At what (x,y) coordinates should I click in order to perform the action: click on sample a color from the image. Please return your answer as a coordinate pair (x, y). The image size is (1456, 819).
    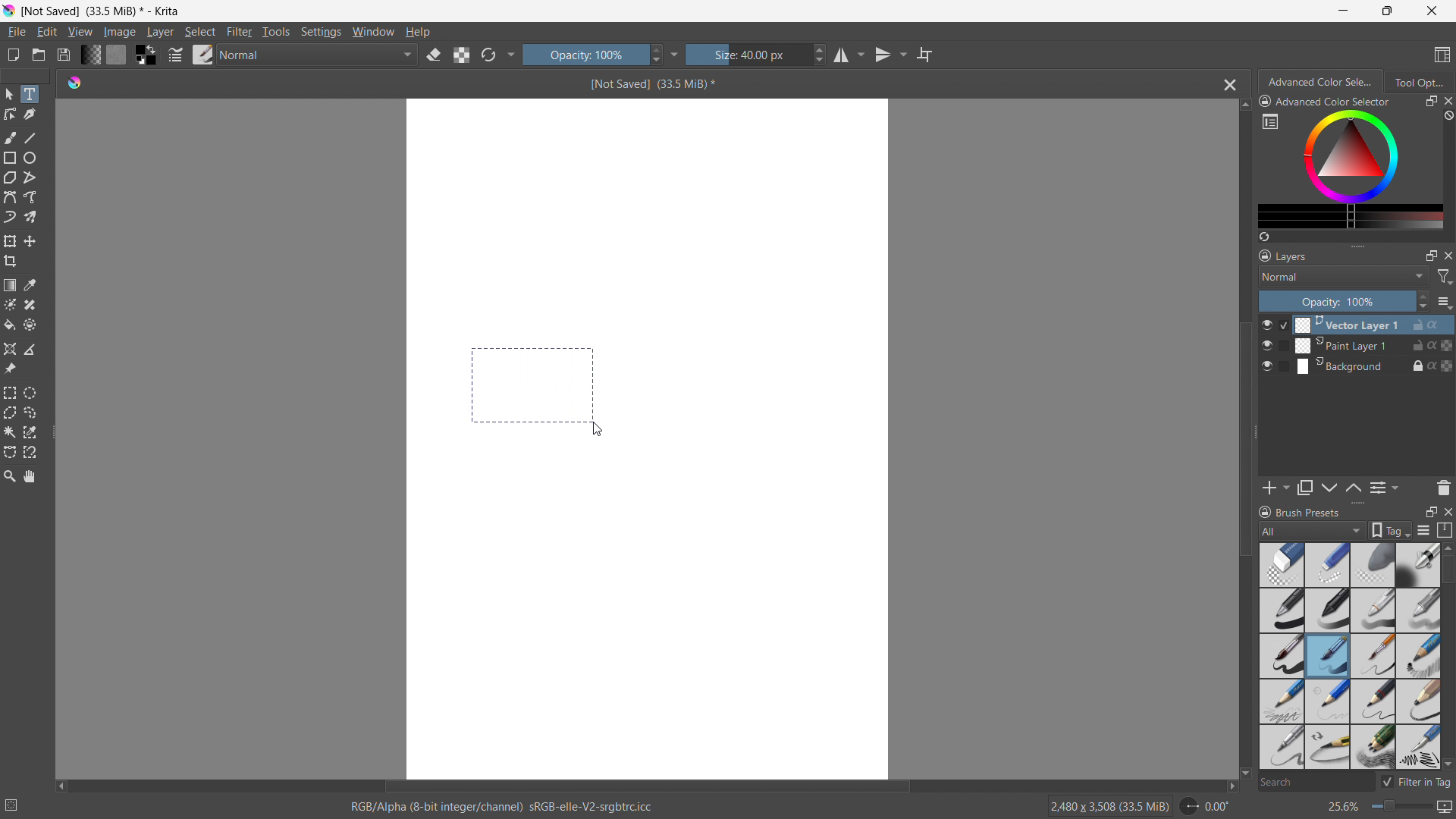
    Looking at the image, I should click on (30, 285).